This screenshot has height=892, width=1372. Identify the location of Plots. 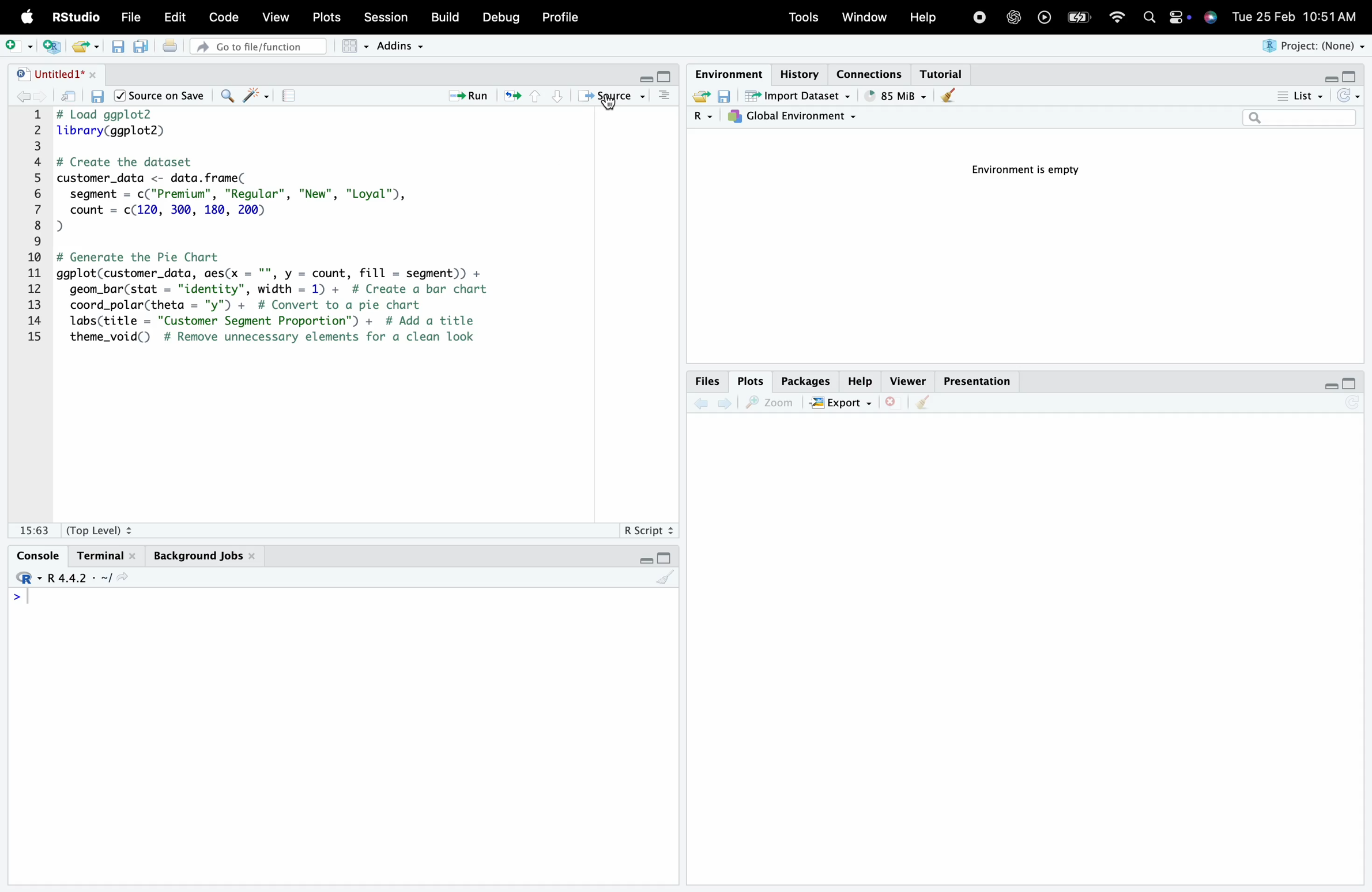
(747, 380).